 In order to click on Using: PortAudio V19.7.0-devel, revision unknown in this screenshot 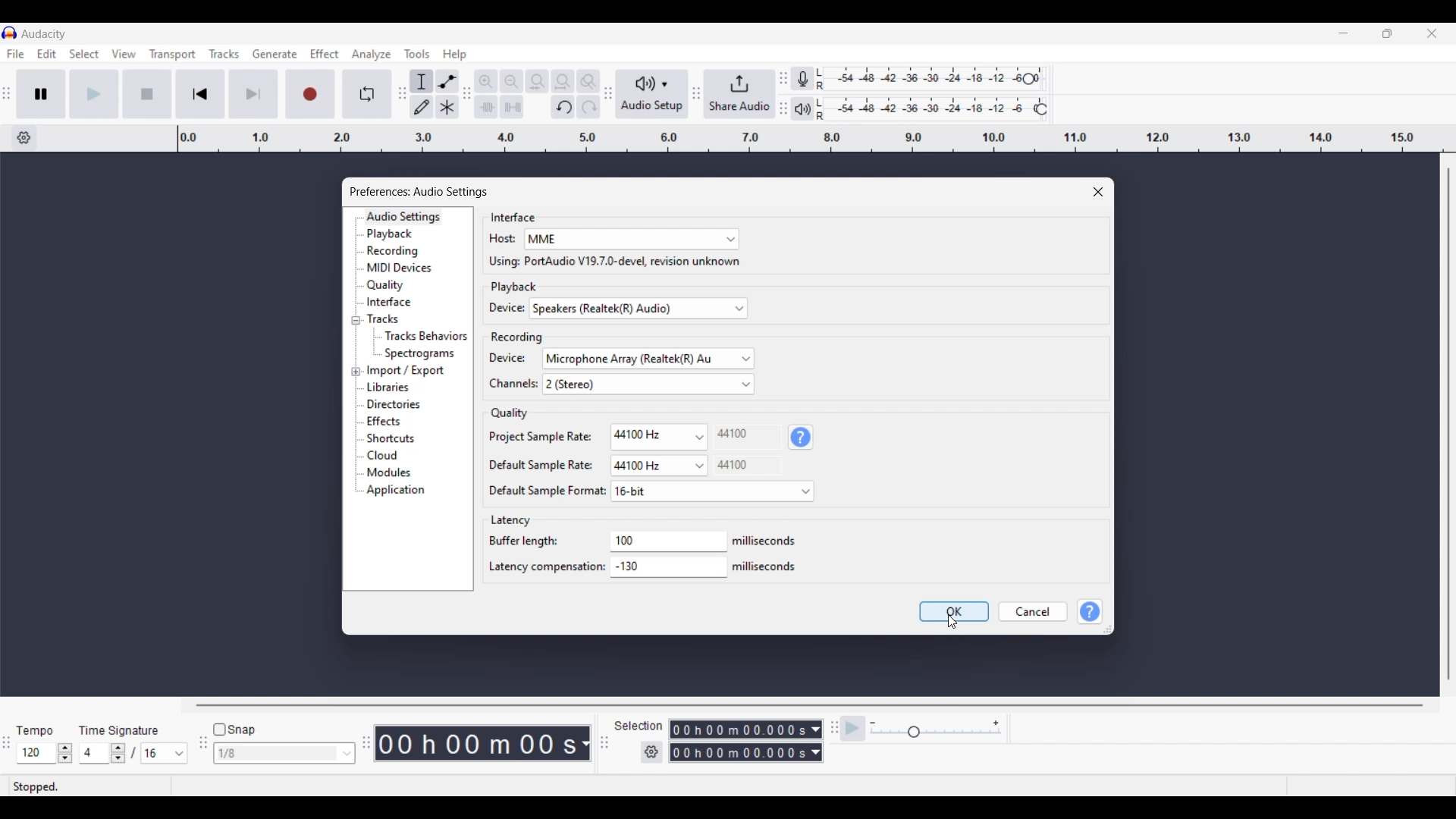, I will do `click(609, 262)`.